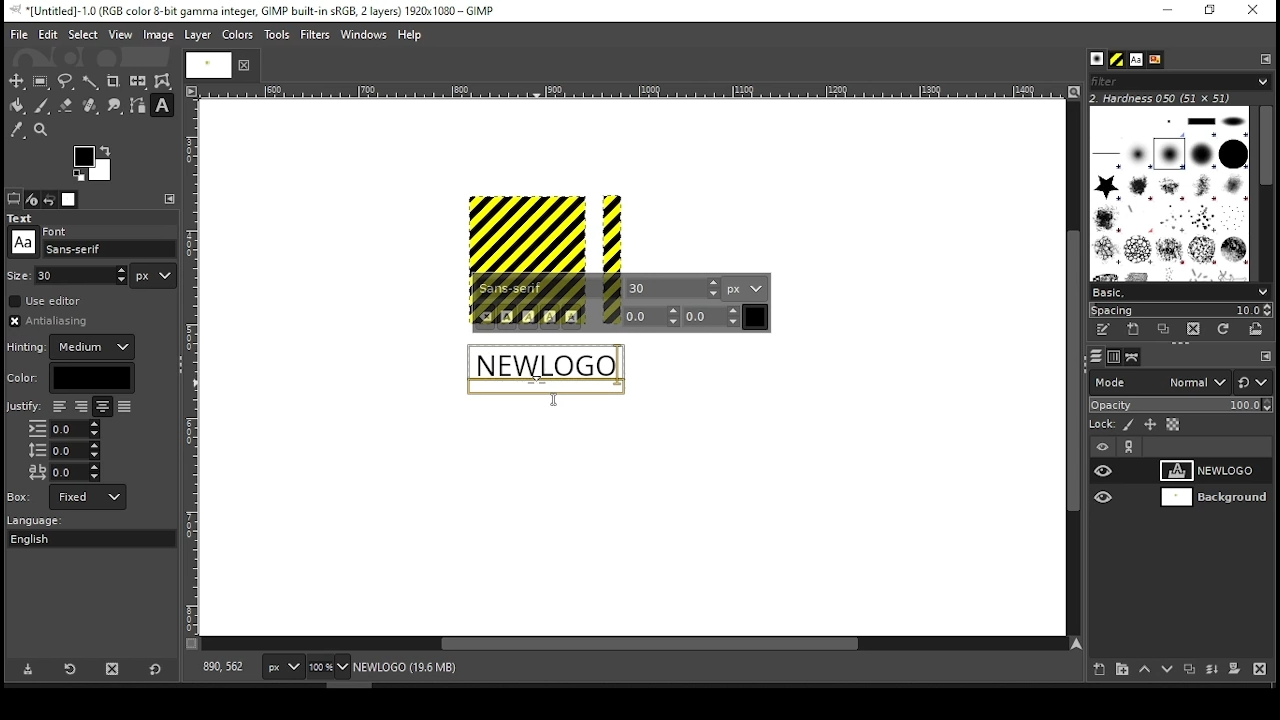 This screenshot has width=1280, height=720. I want to click on , so click(629, 92).